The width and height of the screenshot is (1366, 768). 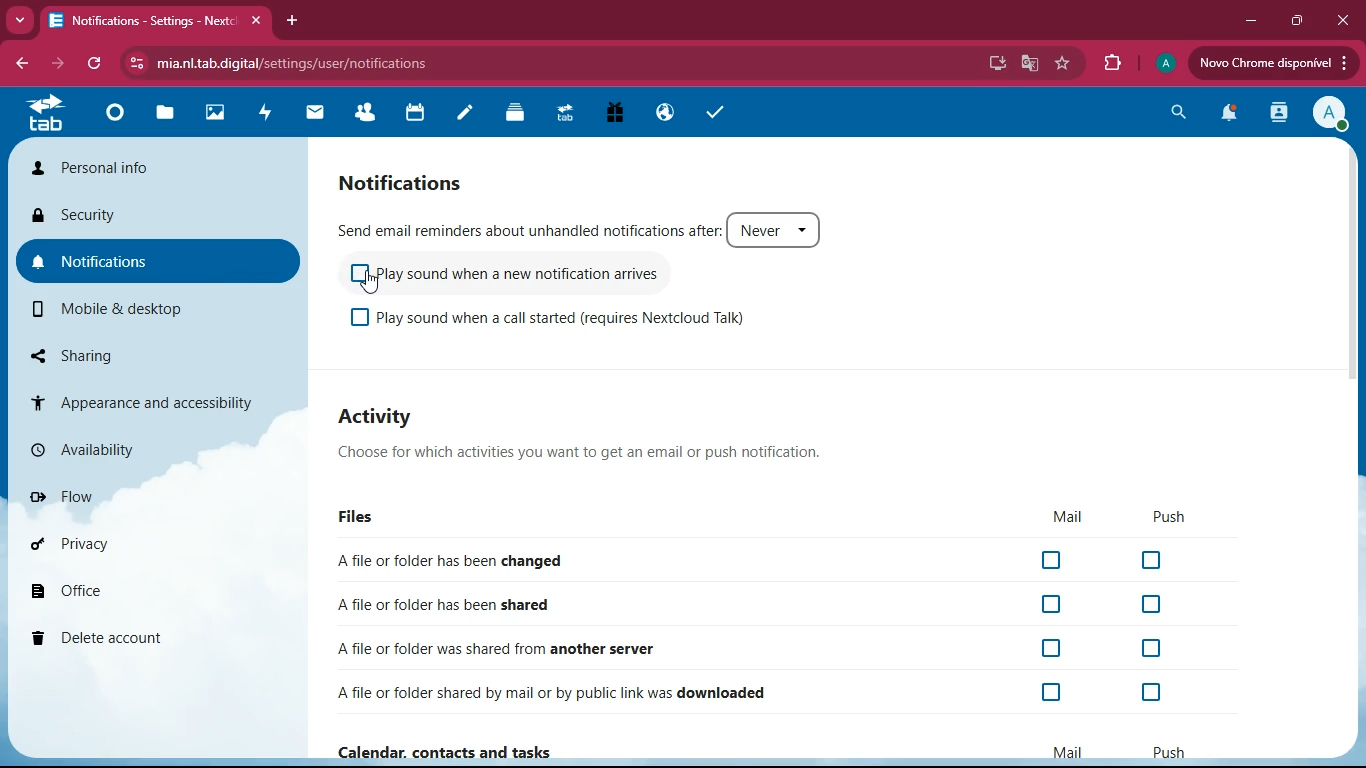 I want to click on appearance, so click(x=152, y=398).